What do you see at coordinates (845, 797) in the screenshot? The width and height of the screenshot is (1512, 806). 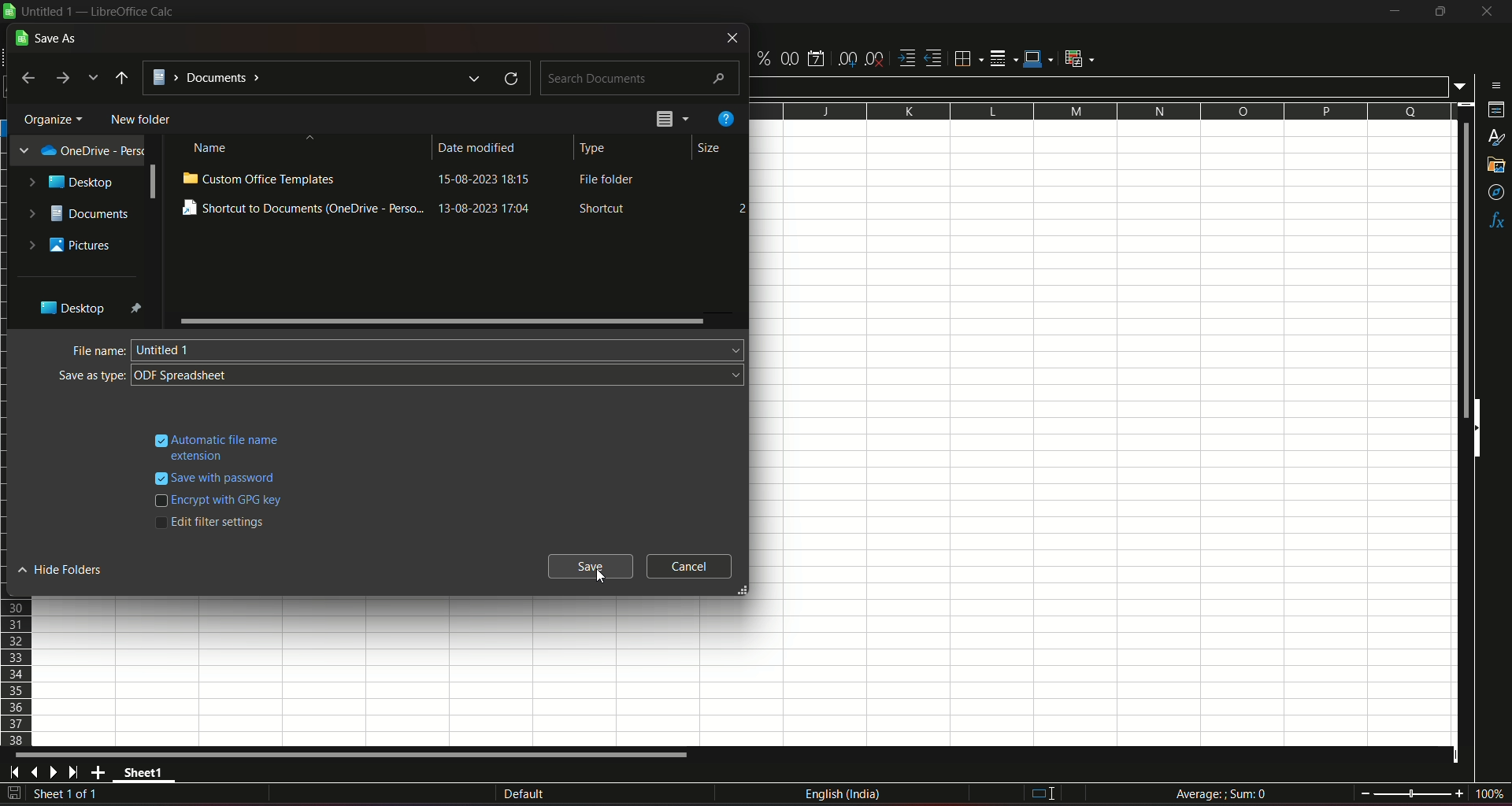 I see `language` at bounding box center [845, 797].